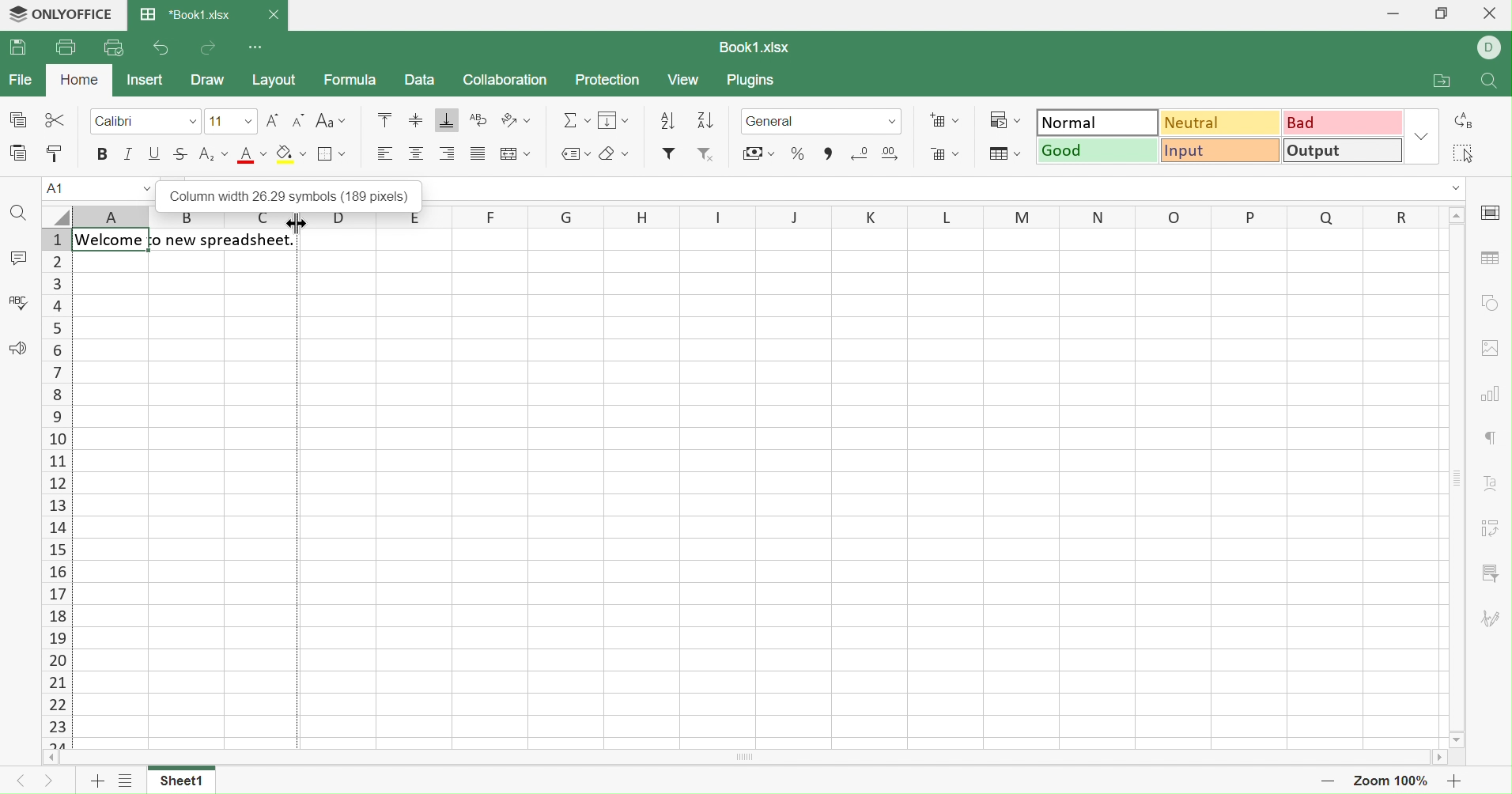 This screenshot has width=1512, height=794. Describe the element at coordinates (299, 120) in the screenshot. I see `Decrement font size` at that location.